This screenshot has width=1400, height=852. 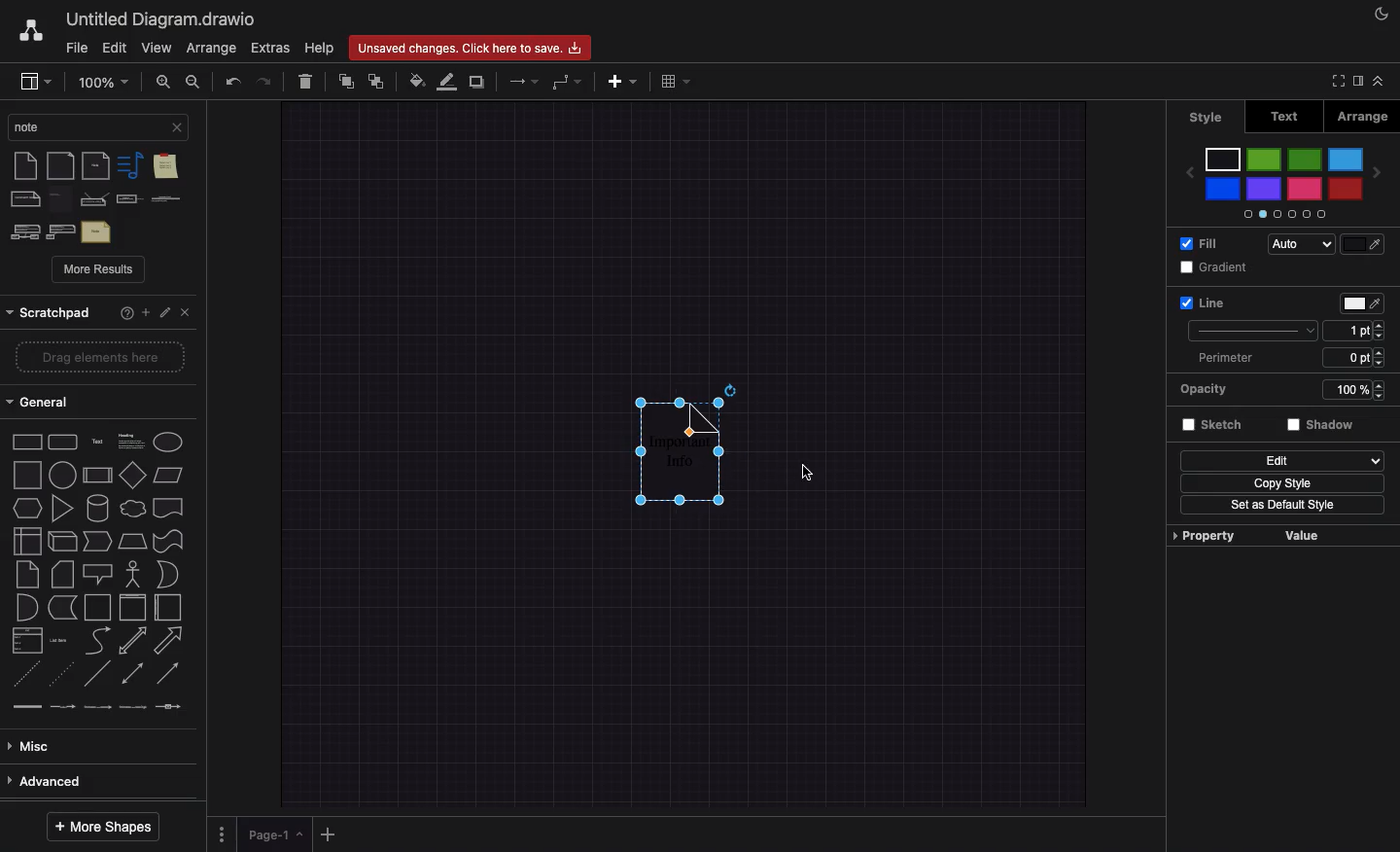 What do you see at coordinates (63, 712) in the screenshot?
I see `connector with label` at bounding box center [63, 712].